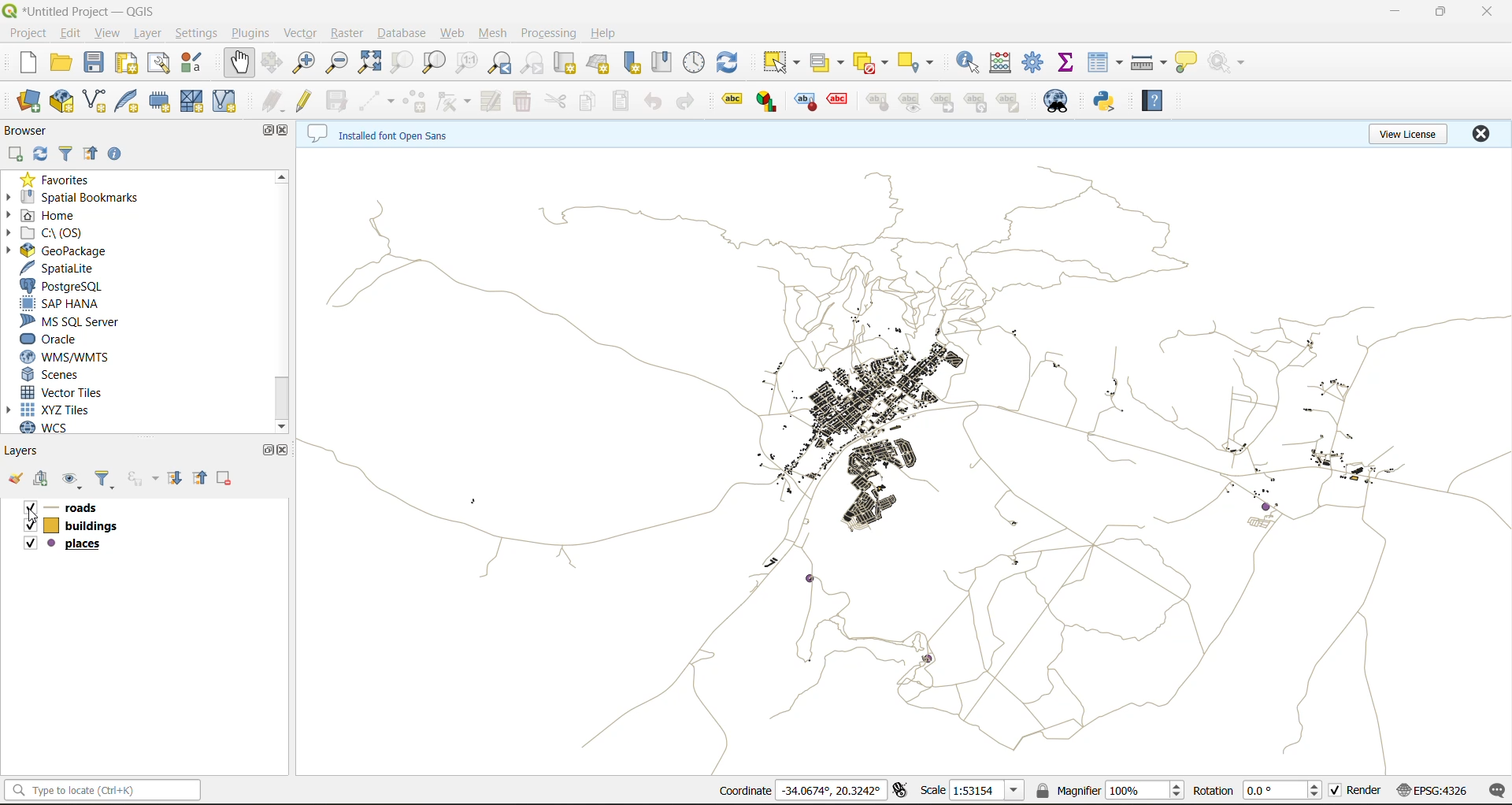  What do you see at coordinates (454, 32) in the screenshot?
I see `web` at bounding box center [454, 32].